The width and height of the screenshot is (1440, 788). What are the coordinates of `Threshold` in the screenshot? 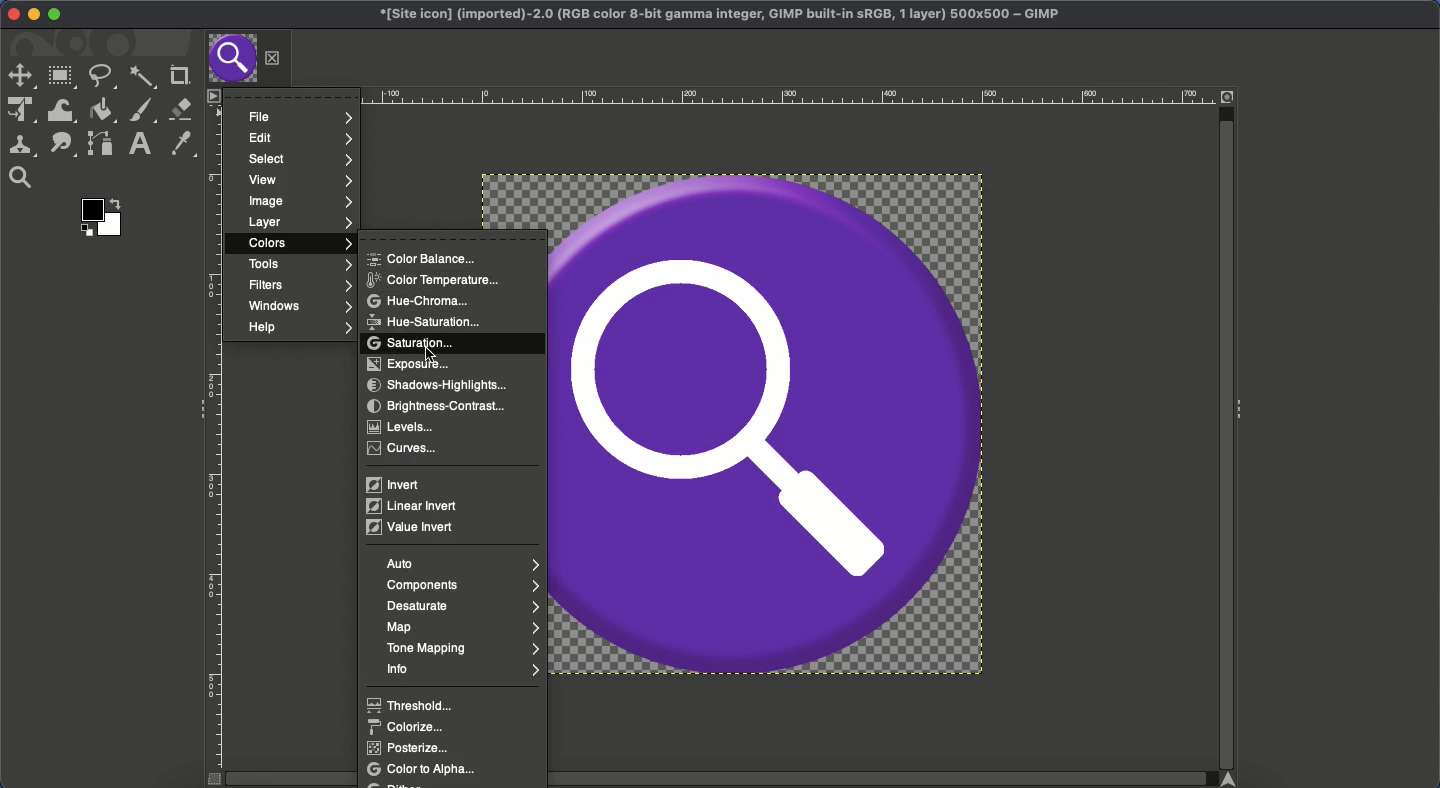 It's located at (416, 705).